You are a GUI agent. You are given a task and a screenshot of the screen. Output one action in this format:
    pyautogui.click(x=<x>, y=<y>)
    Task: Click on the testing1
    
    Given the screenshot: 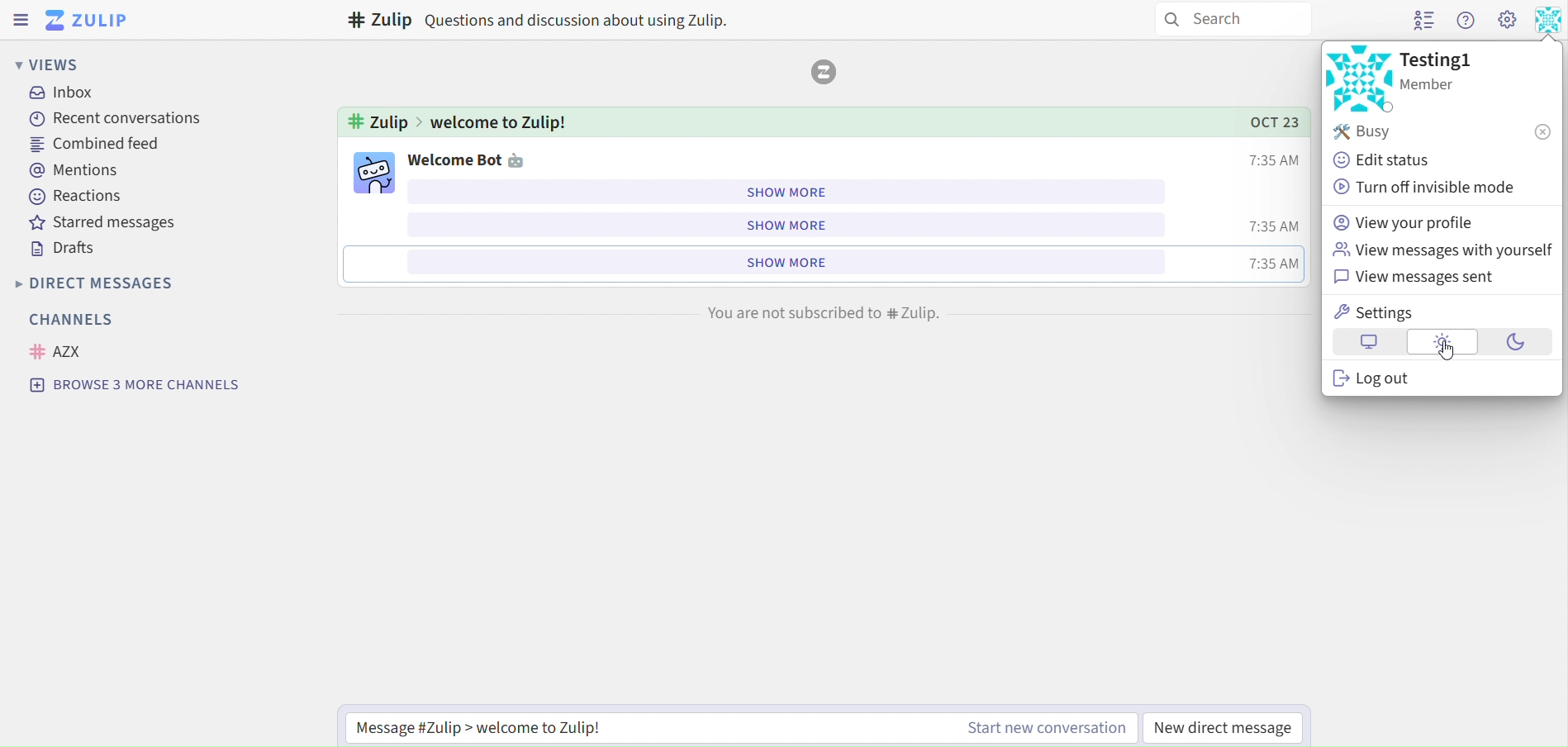 What is the action you would take?
    pyautogui.click(x=1440, y=71)
    